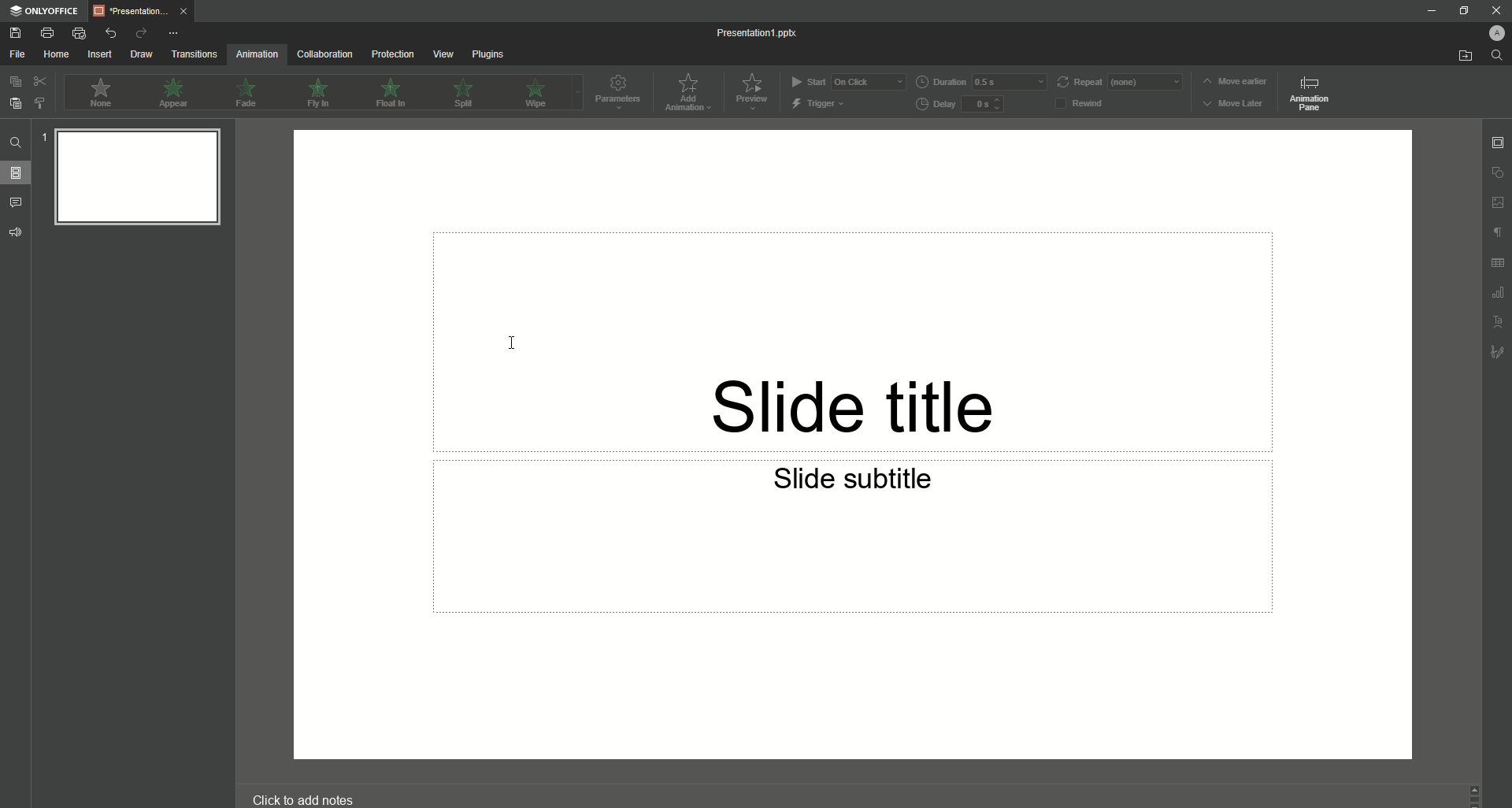  Describe the element at coordinates (317, 93) in the screenshot. I see `Fly In` at that location.